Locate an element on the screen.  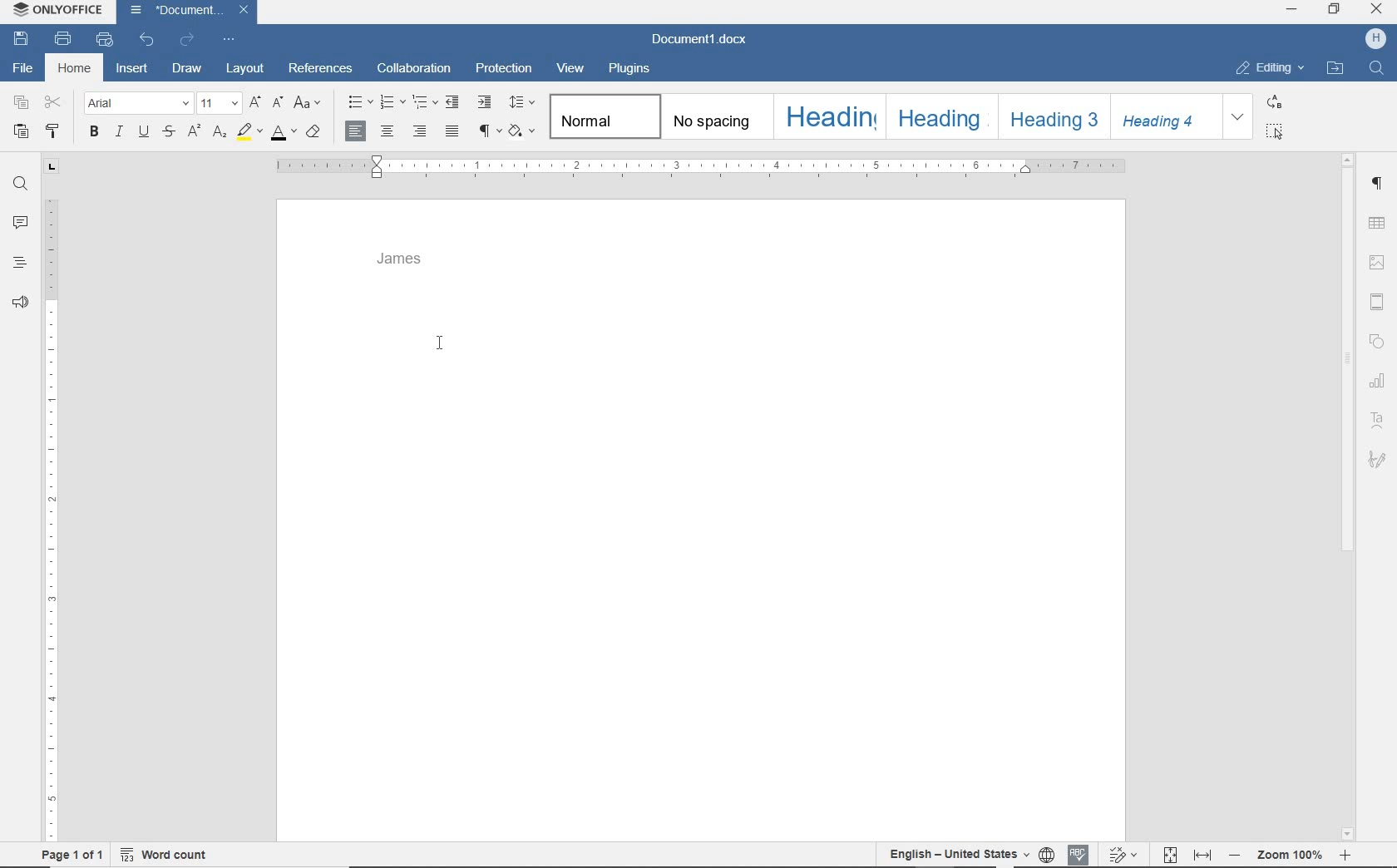
word count is located at coordinates (163, 857).